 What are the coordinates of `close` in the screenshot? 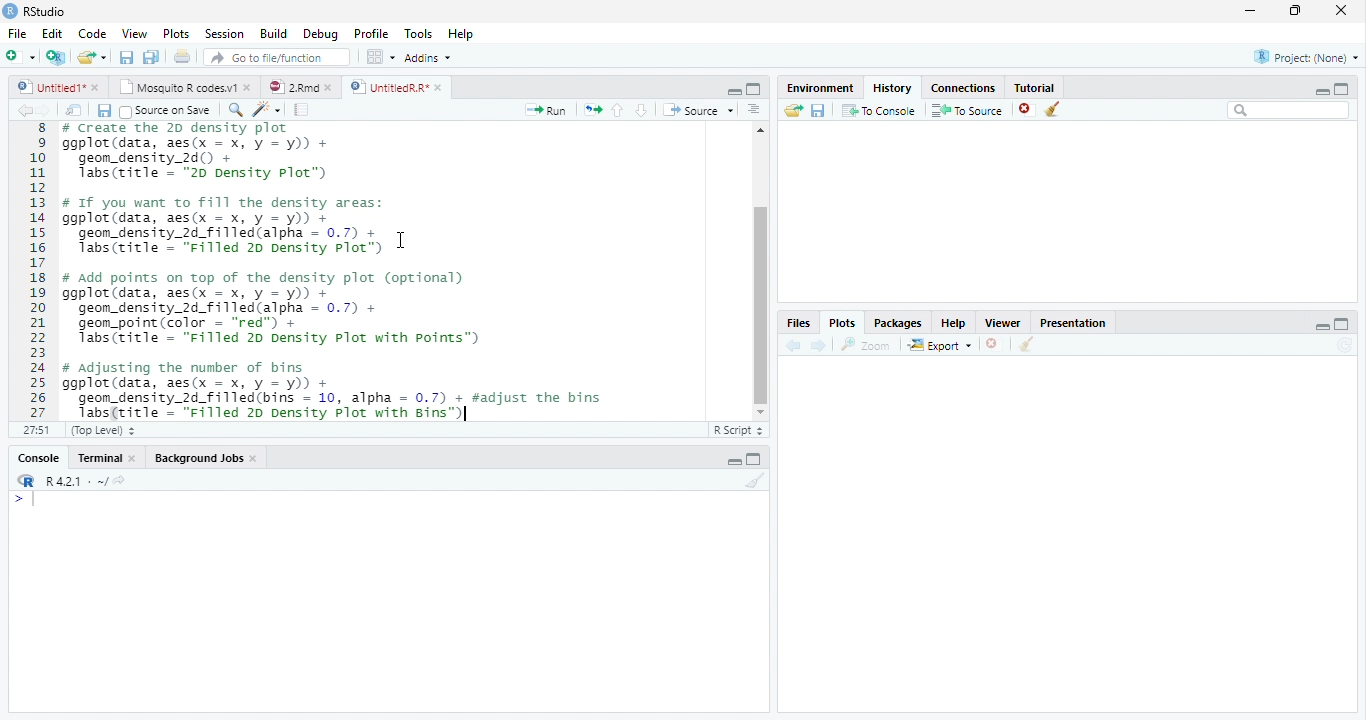 It's located at (97, 87).